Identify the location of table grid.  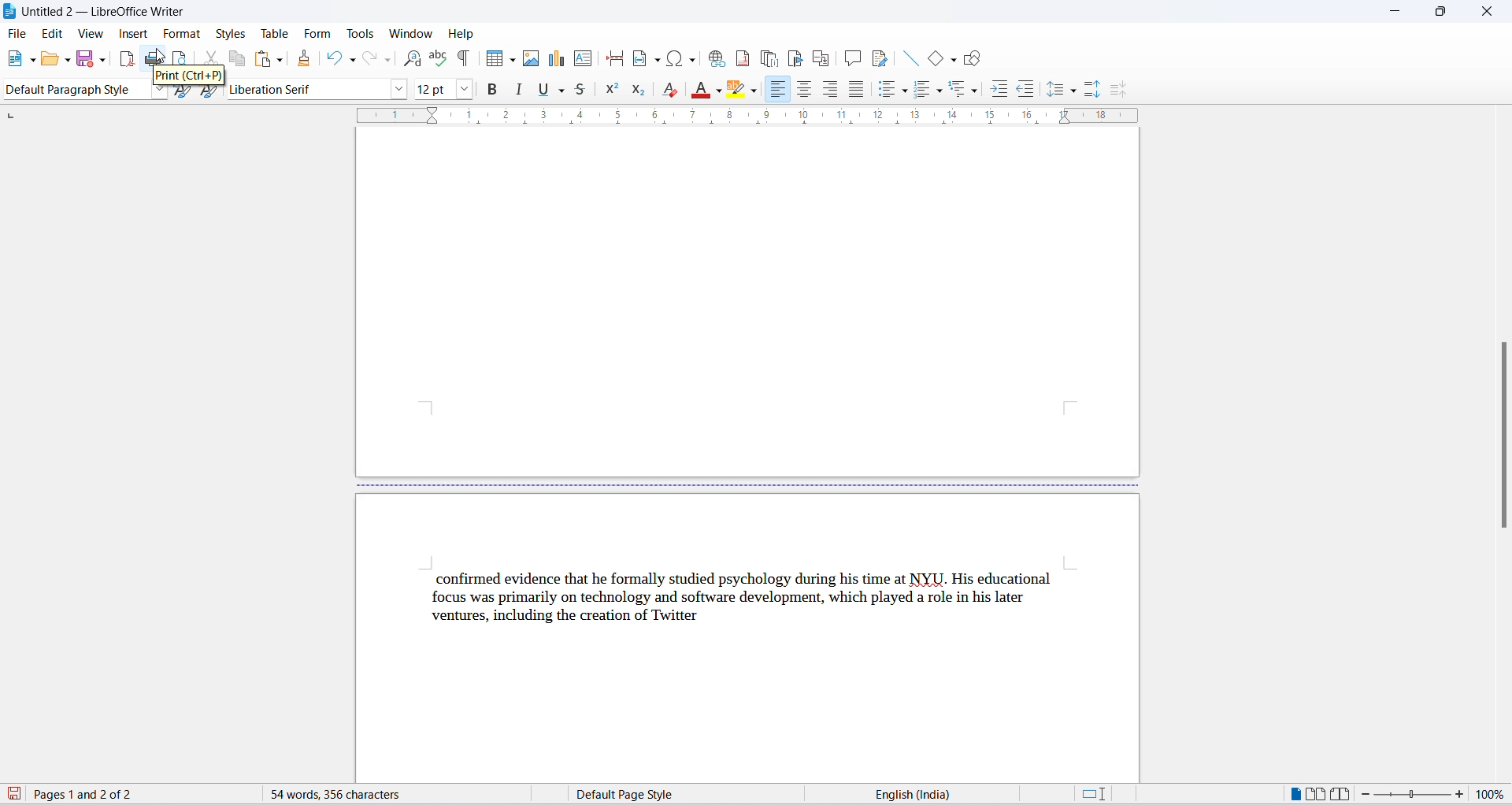
(513, 61).